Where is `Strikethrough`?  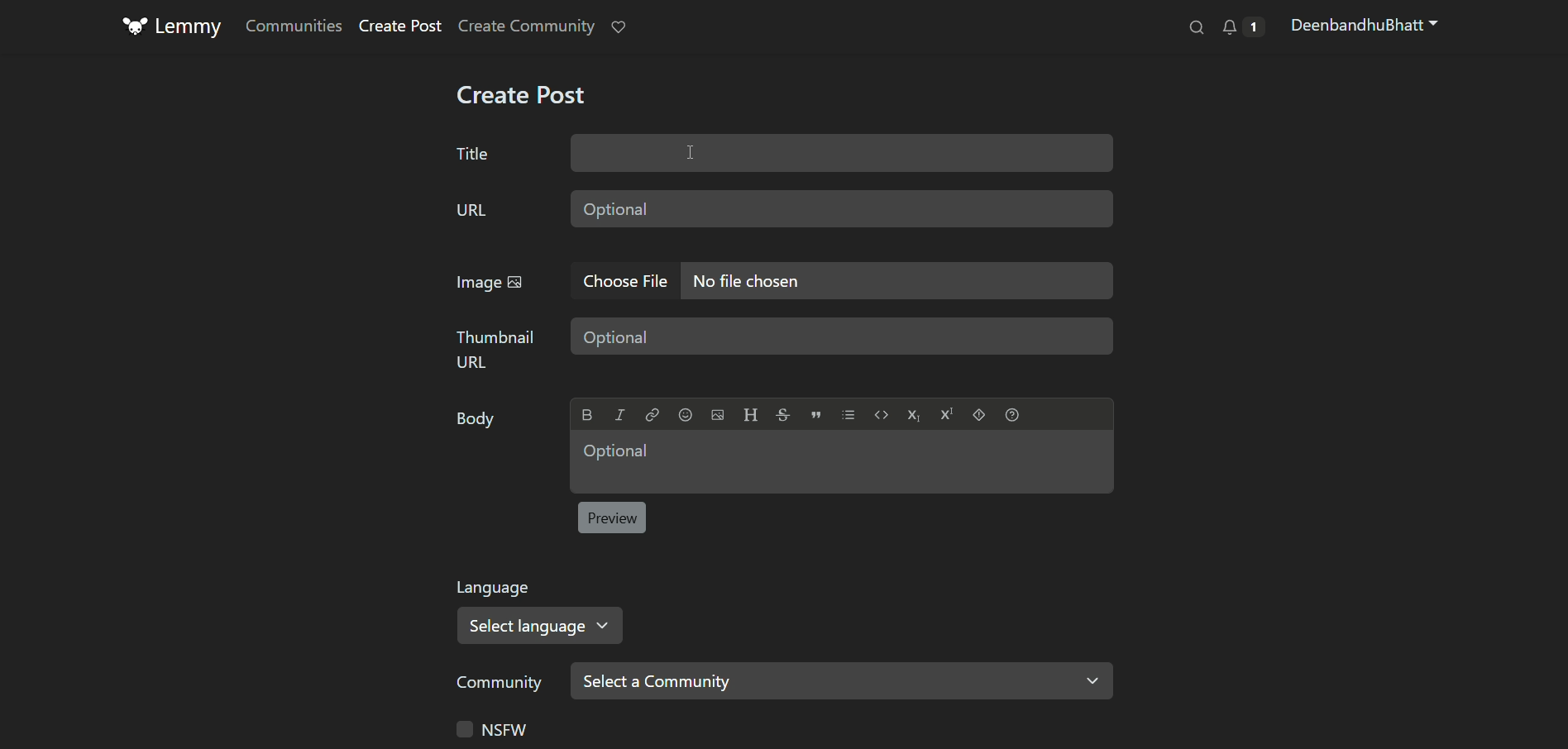 Strikethrough is located at coordinates (783, 415).